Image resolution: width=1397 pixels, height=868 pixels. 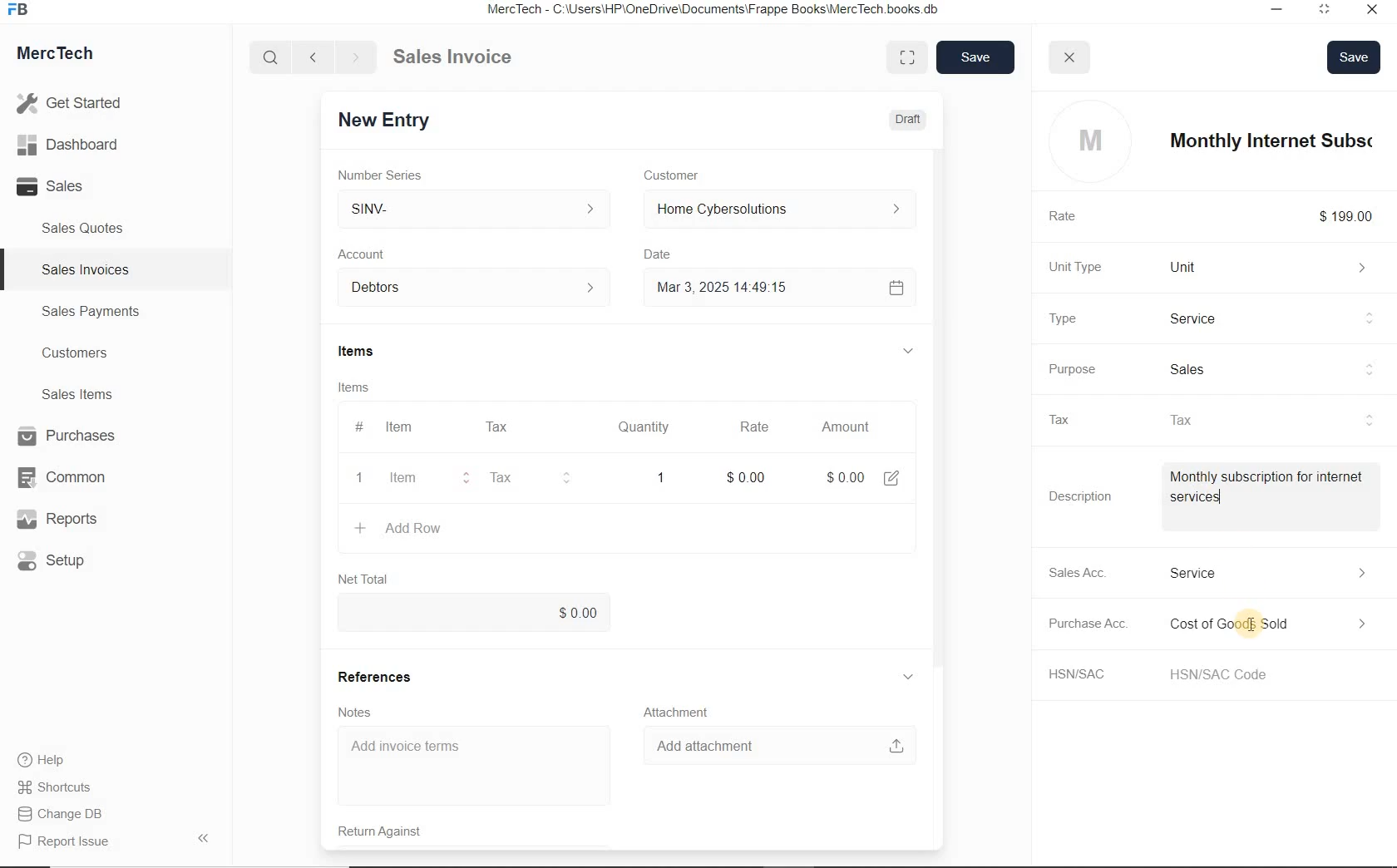 I want to click on Mar 3, 2025 14:49:15, so click(x=719, y=289).